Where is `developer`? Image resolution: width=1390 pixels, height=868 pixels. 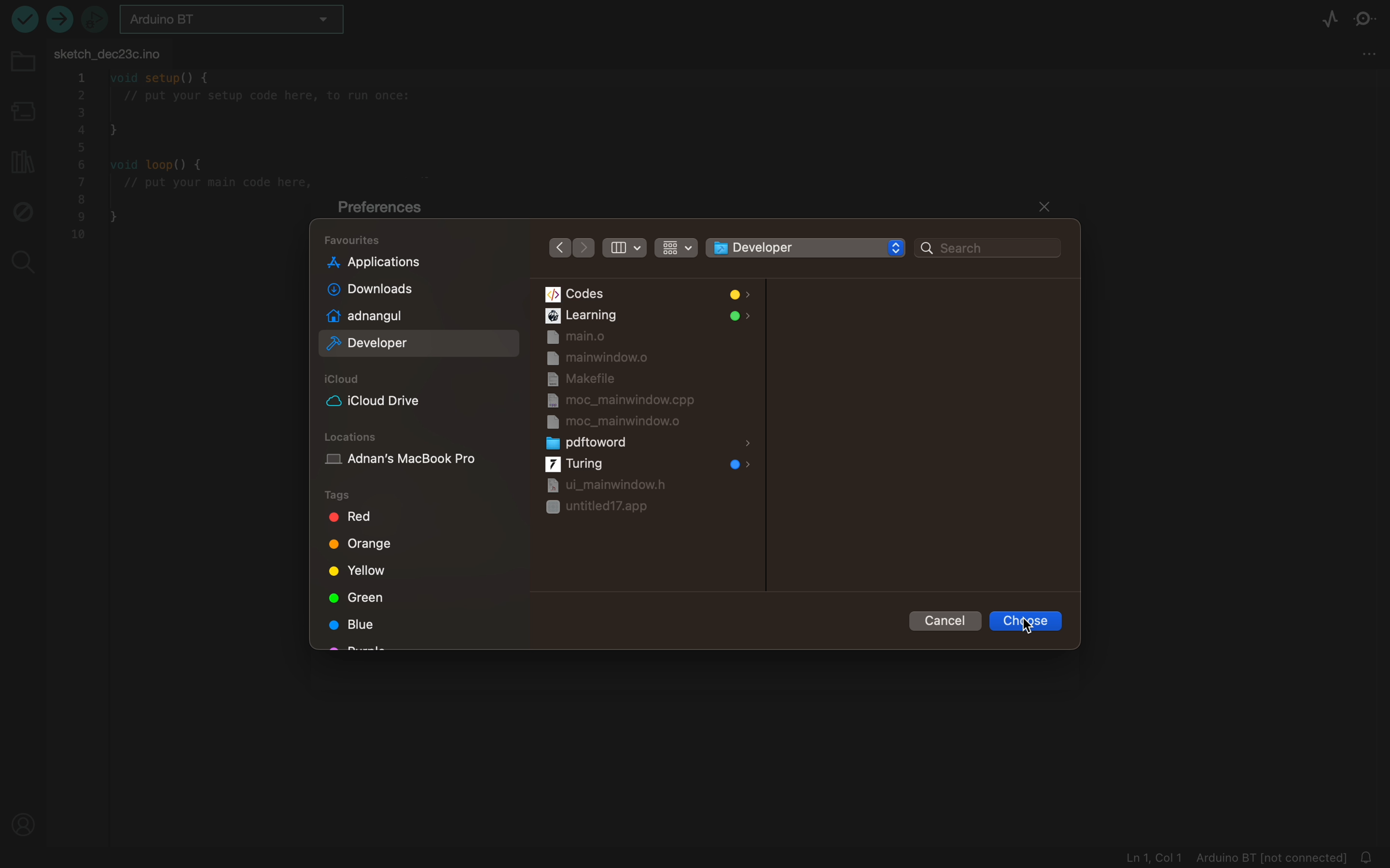
developer is located at coordinates (374, 342).